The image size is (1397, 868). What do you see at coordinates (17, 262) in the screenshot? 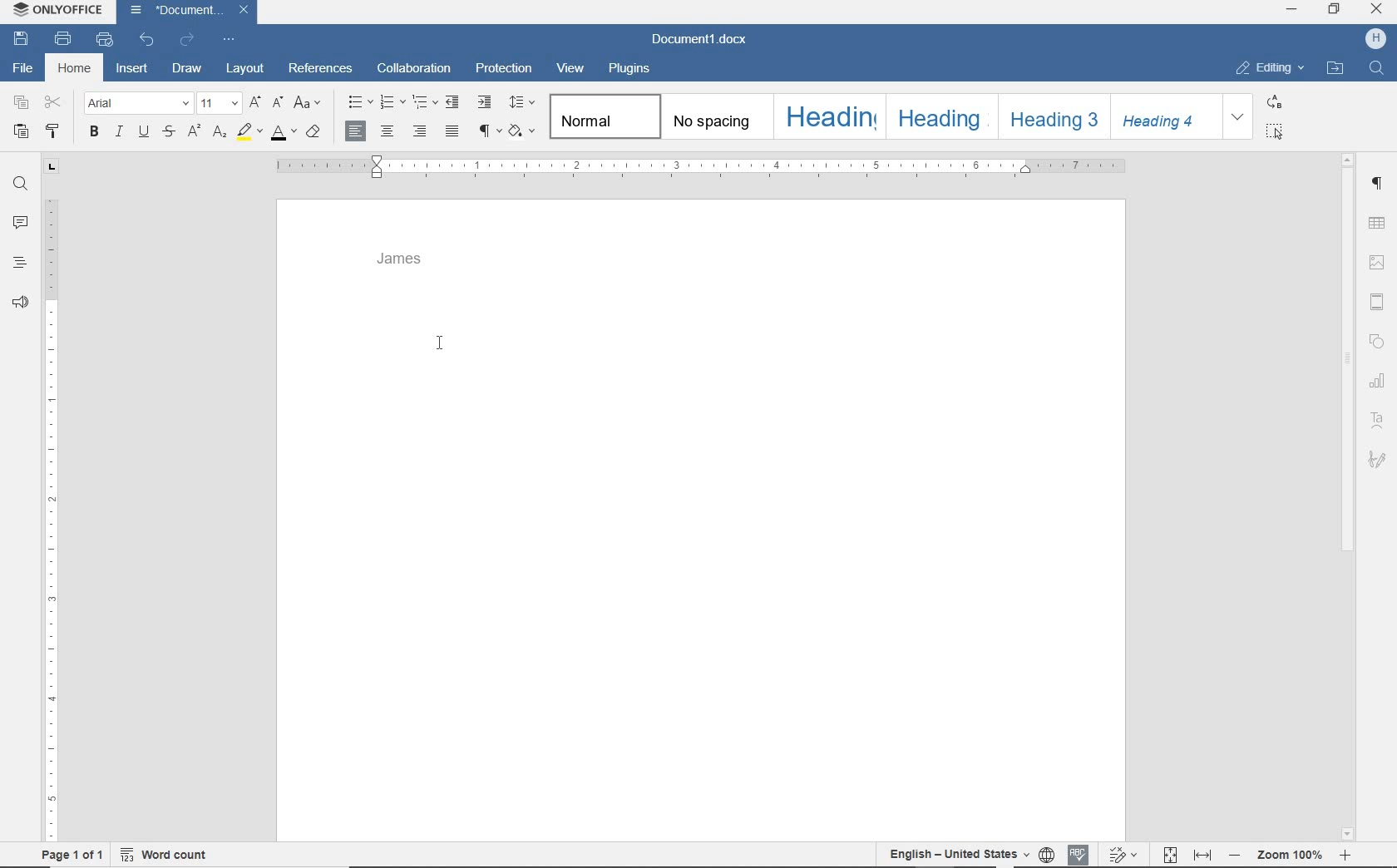
I see `headings` at bounding box center [17, 262].